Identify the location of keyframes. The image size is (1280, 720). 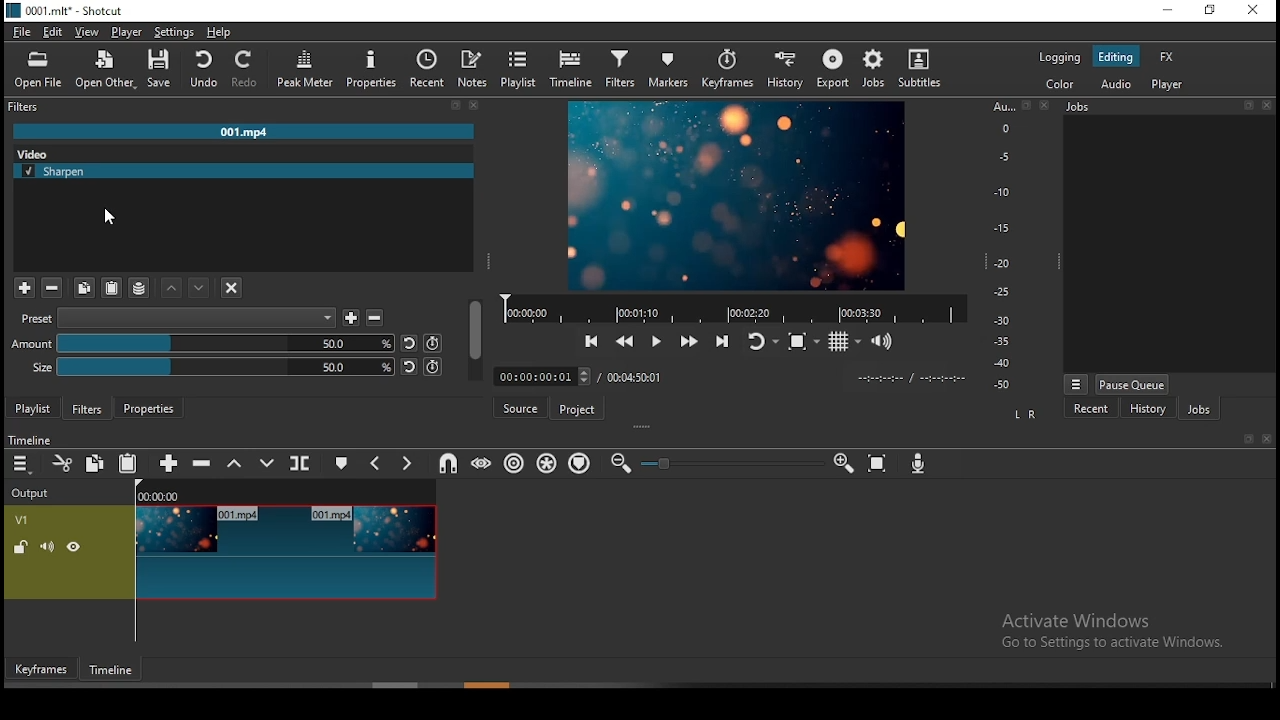
(41, 669).